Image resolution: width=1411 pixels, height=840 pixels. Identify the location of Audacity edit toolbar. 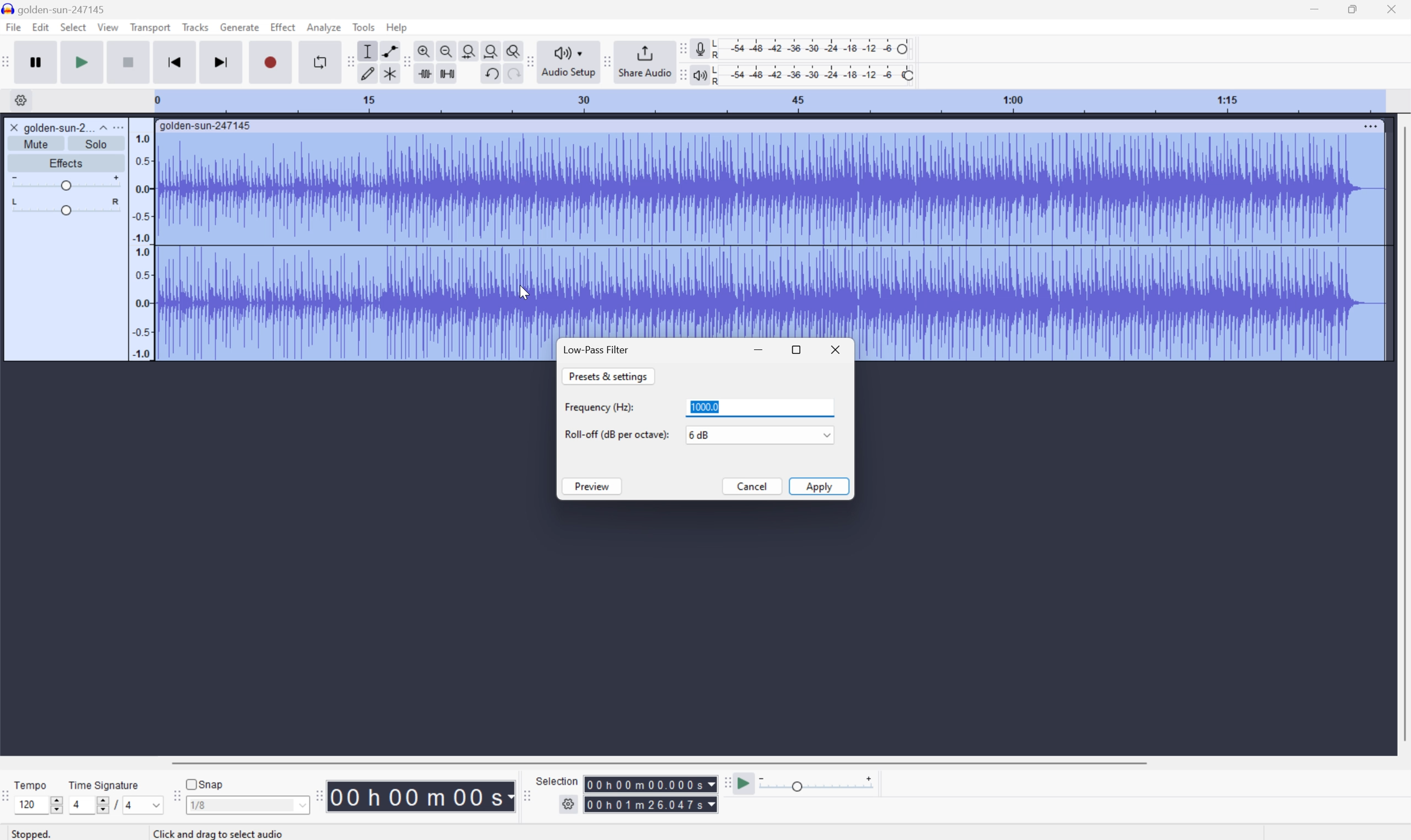
(349, 61).